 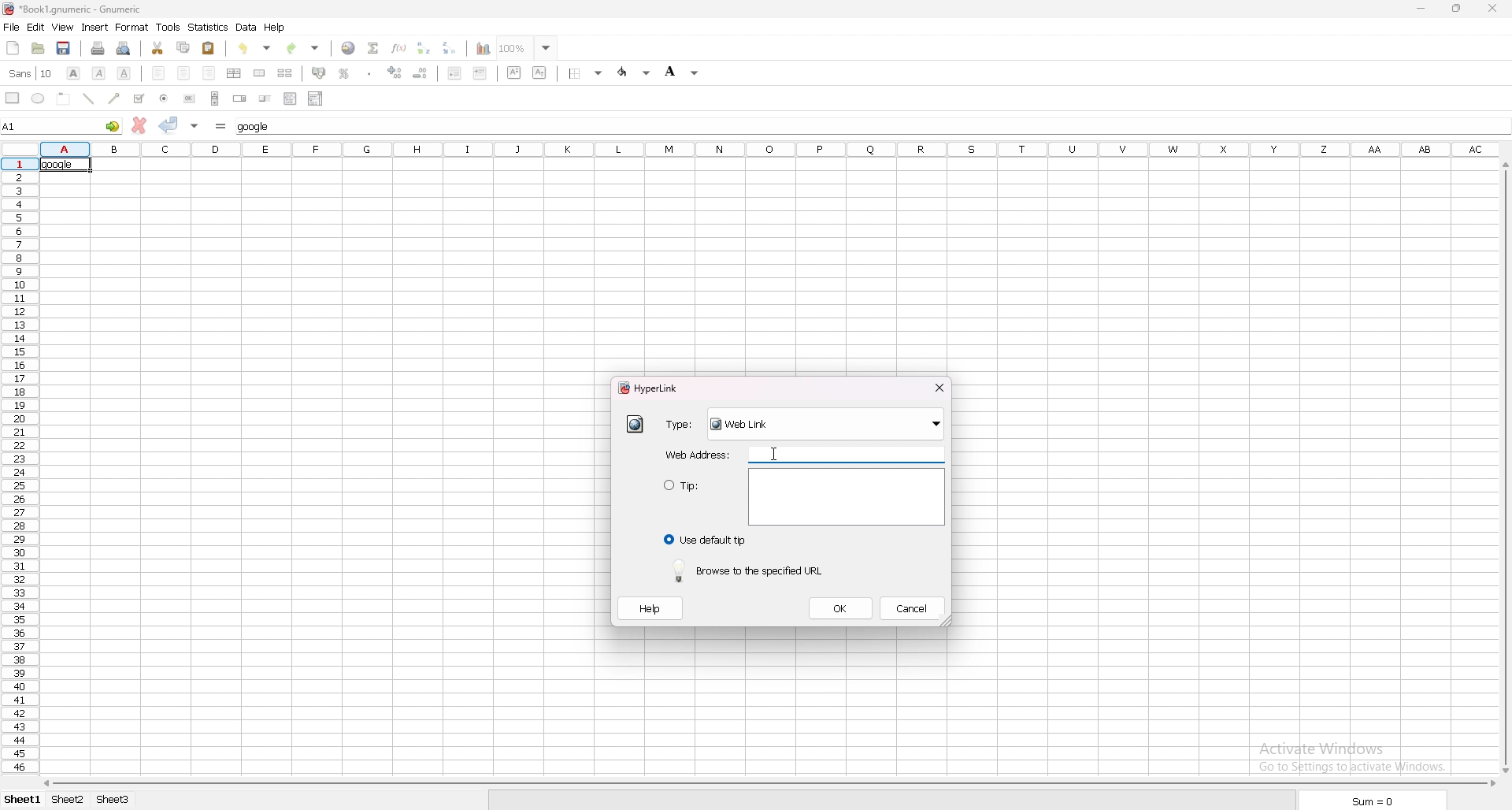 I want to click on formula, so click(x=220, y=125).